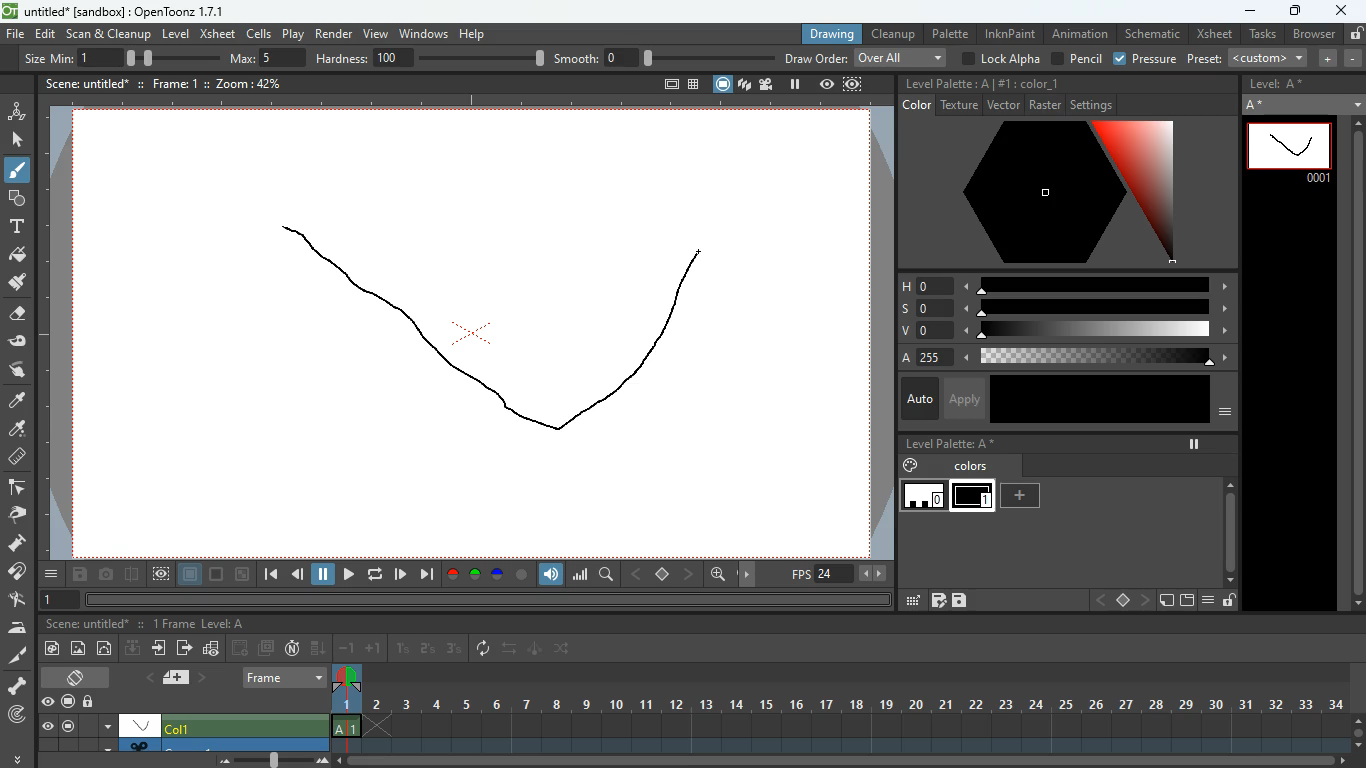 This screenshot has width=1366, height=768. Describe the element at coordinates (487, 649) in the screenshot. I see `refresh` at that location.